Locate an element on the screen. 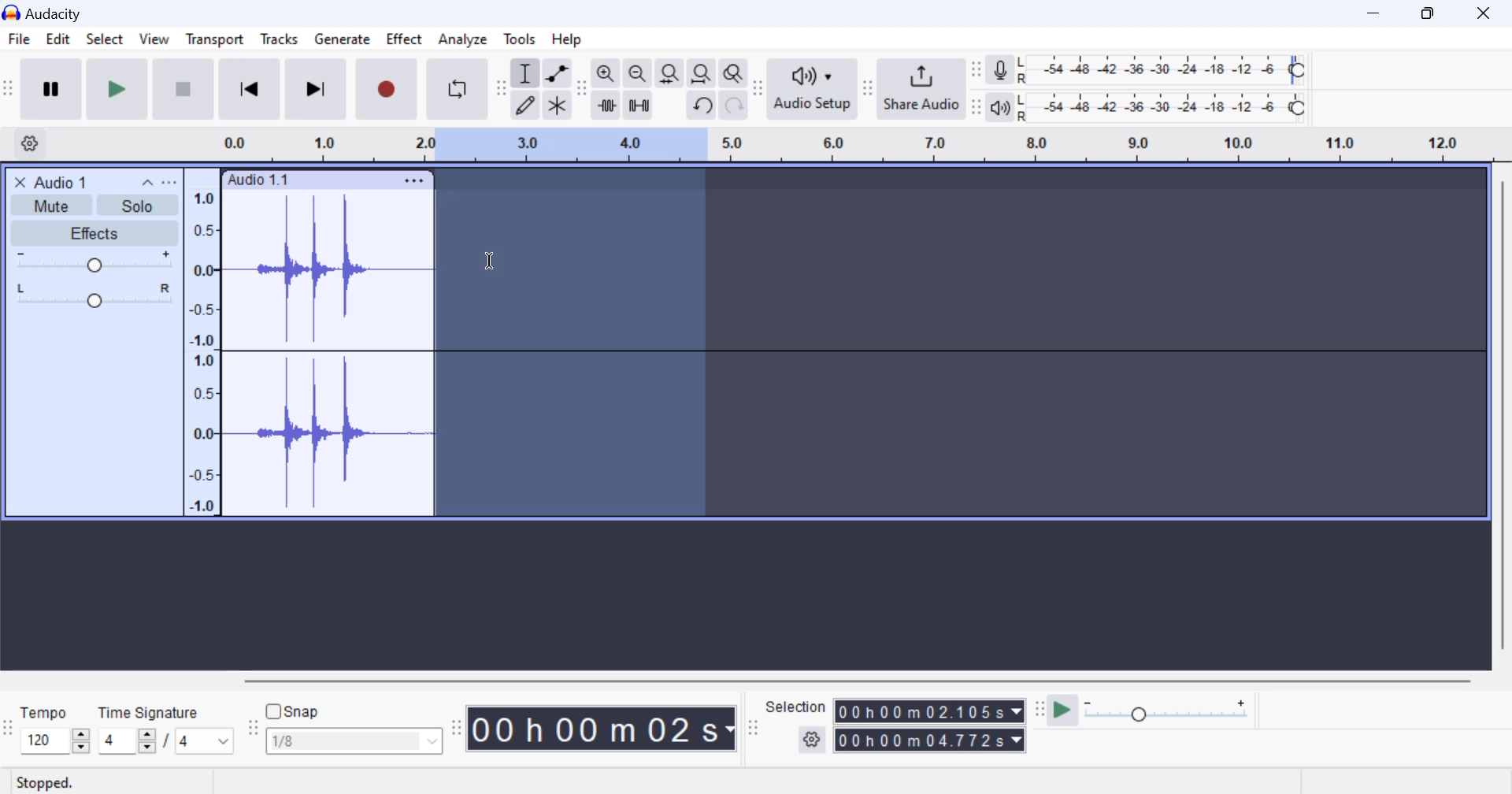  collapse is located at coordinates (146, 181).